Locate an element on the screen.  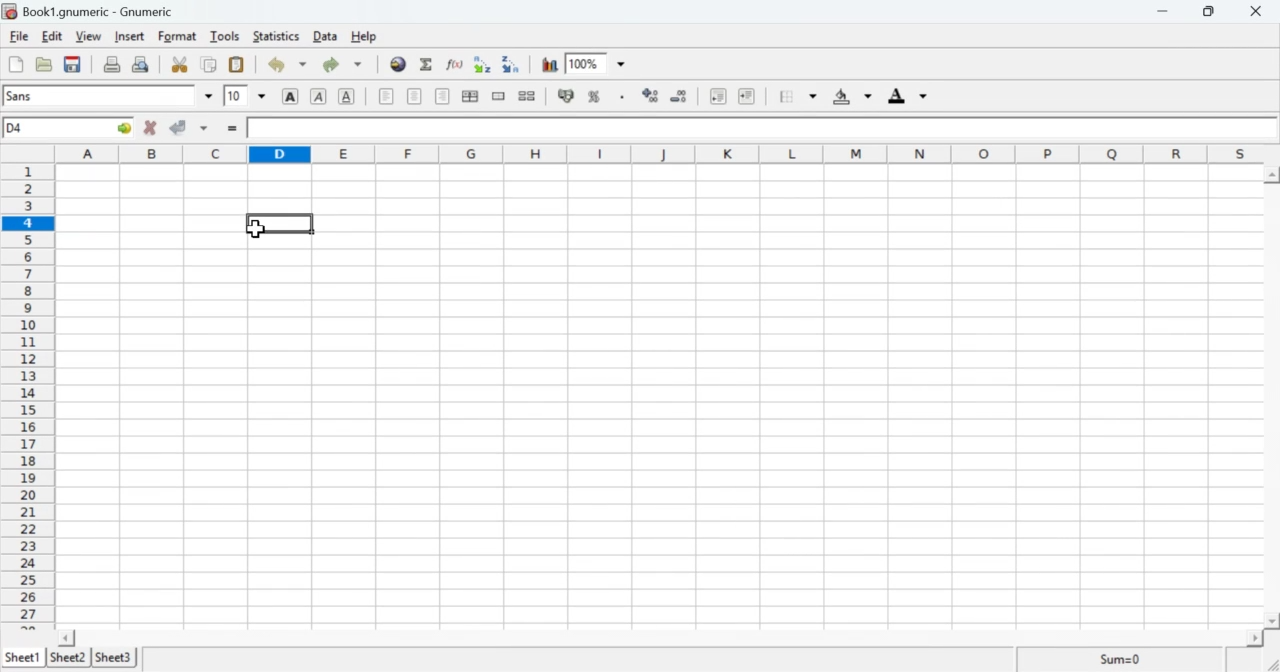
Increase number of decimals is located at coordinates (652, 96).